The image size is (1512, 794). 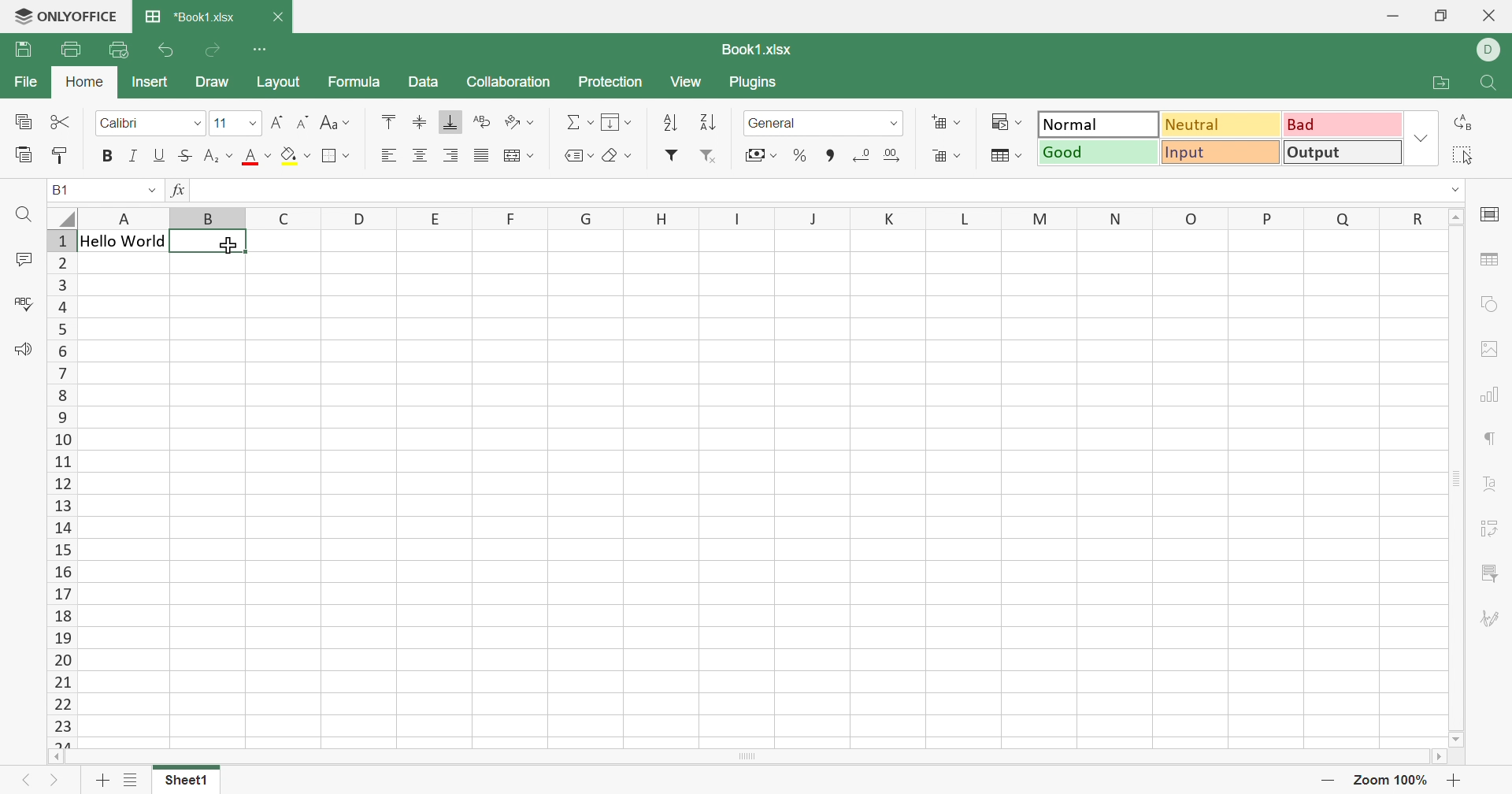 What do you see at coordinates (1488, 260) in the screenshot?
I see `table settings` at bounding box center [1488, 260].